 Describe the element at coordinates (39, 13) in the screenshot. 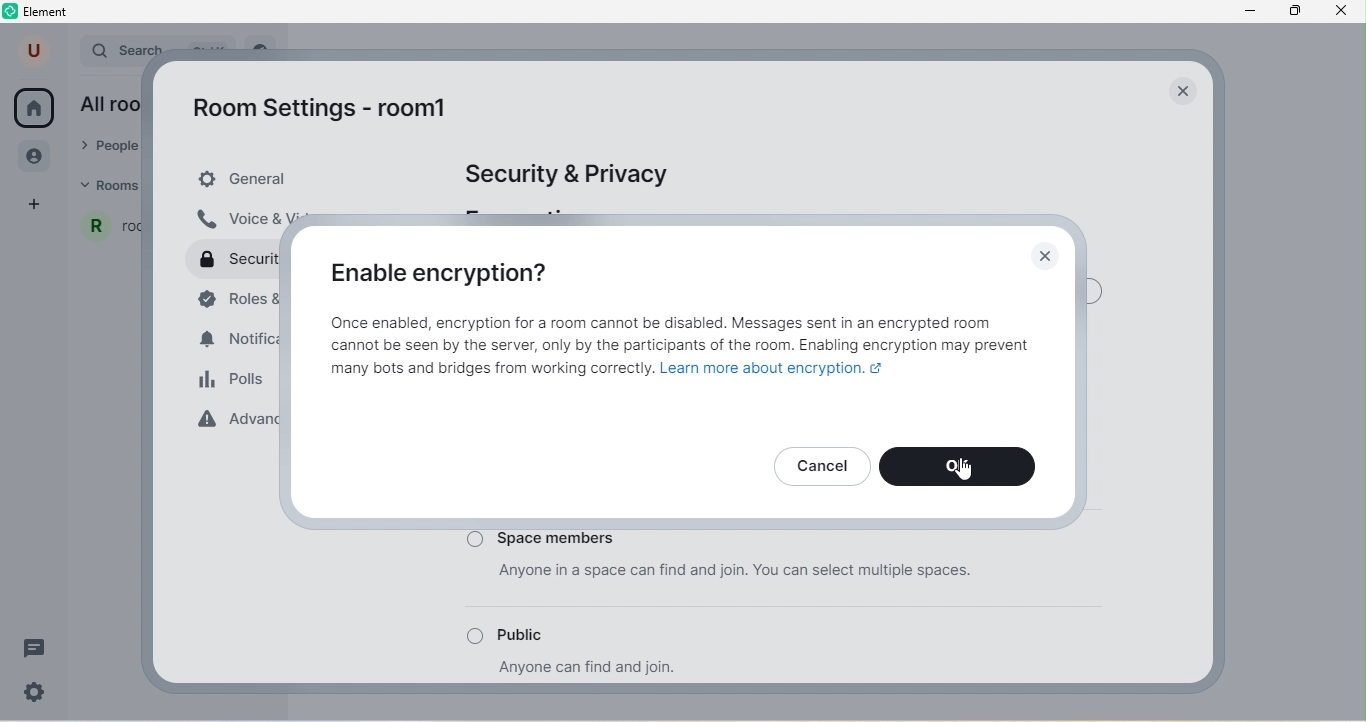

I see `element` at that location.